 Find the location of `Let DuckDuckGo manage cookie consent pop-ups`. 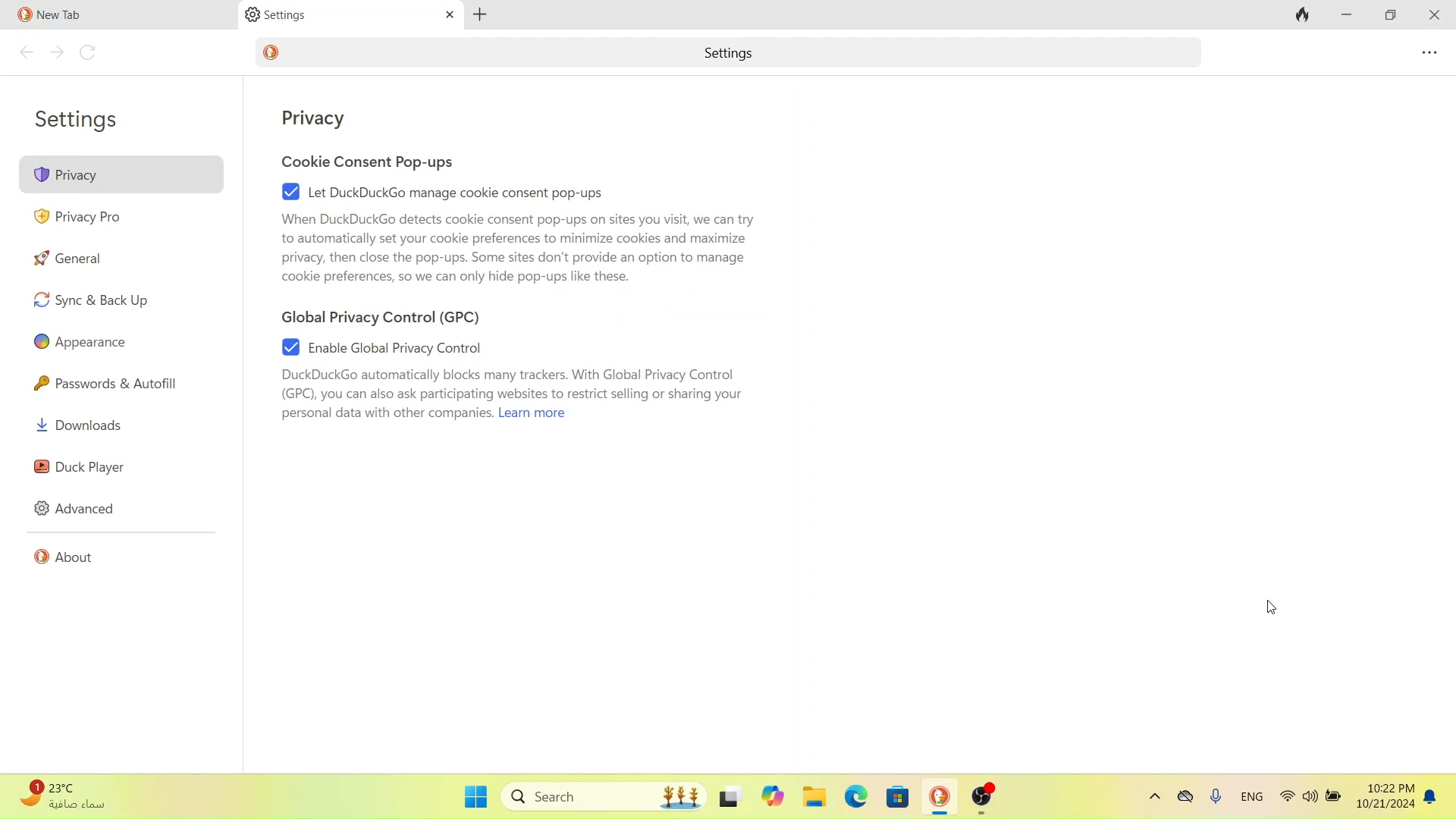

Let DuckDuckGo manage cookie consent pop-ups is located at coordinates (447, 193).